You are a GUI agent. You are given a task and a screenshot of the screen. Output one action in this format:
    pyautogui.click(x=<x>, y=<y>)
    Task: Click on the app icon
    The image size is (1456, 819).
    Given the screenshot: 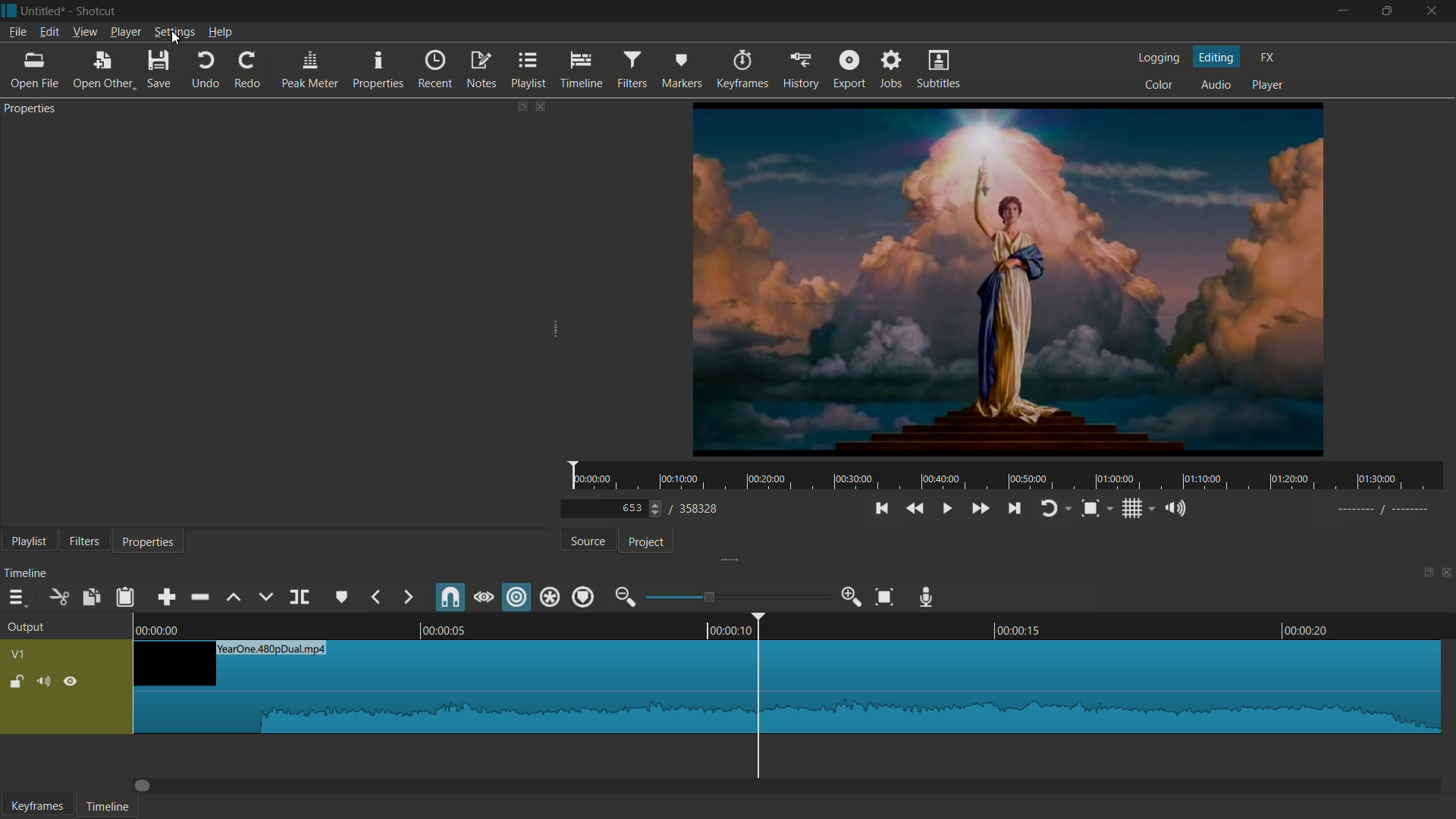 What is the action you would take?
    pyautogui.click(x=9, y=11)
    